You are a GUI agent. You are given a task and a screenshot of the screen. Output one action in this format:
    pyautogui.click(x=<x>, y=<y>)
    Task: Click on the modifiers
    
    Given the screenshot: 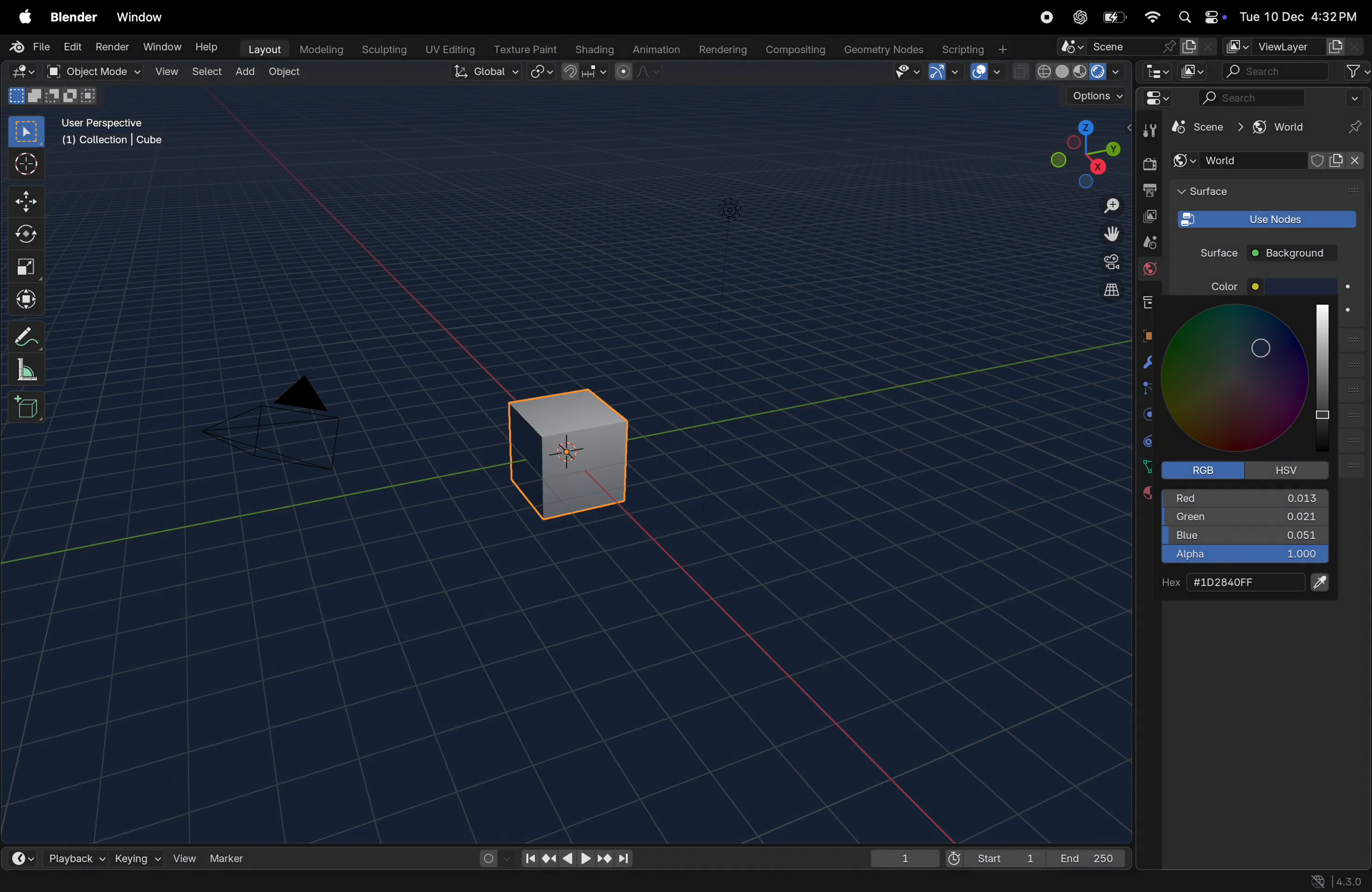 What is the action you would take?
    pyautogui.click(x=1147, y=362)
    